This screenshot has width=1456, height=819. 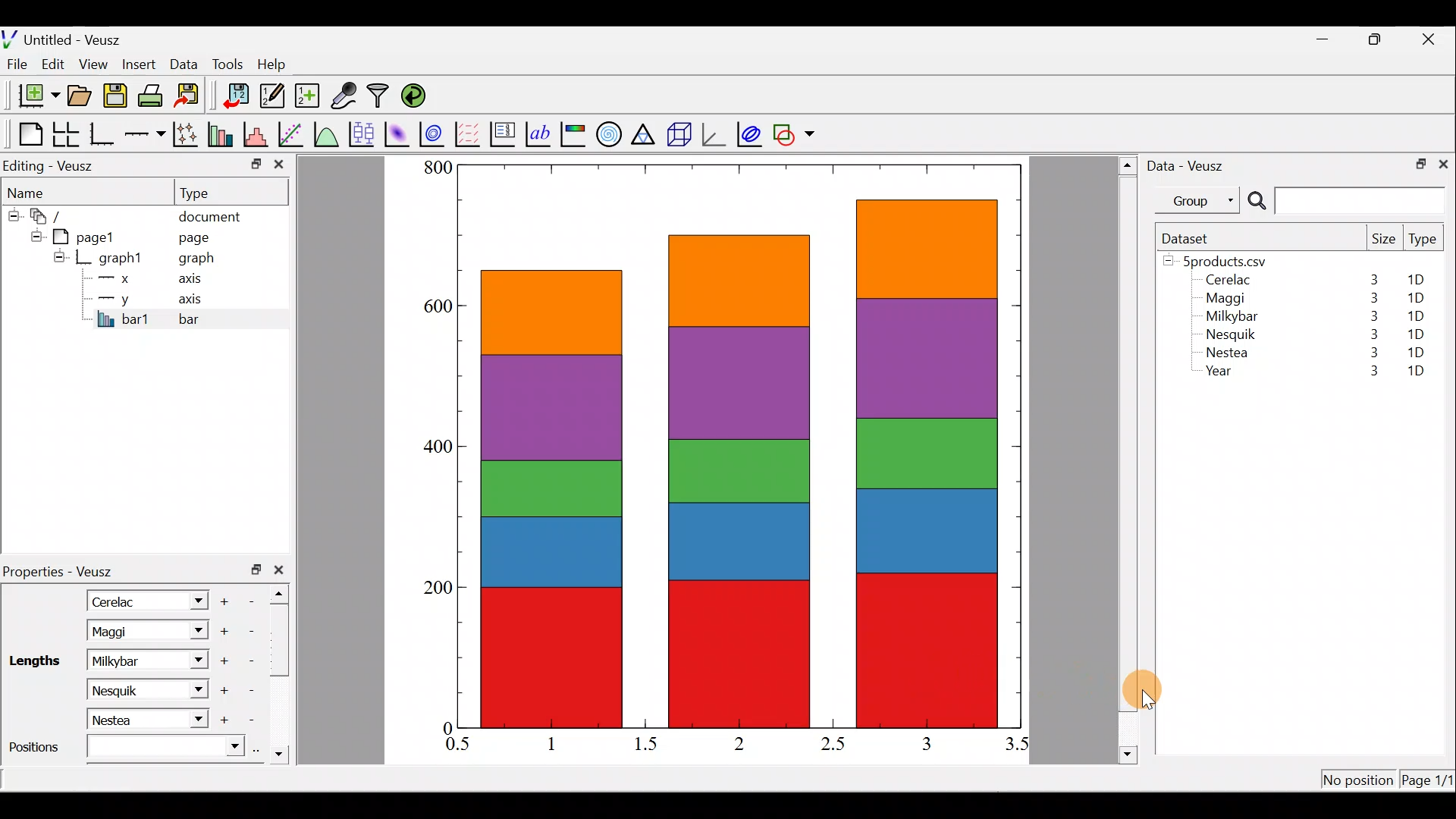 What do you see at coordinates (35, 190) in the screenshot?
I see `Name` at bounding box center [35, 190].